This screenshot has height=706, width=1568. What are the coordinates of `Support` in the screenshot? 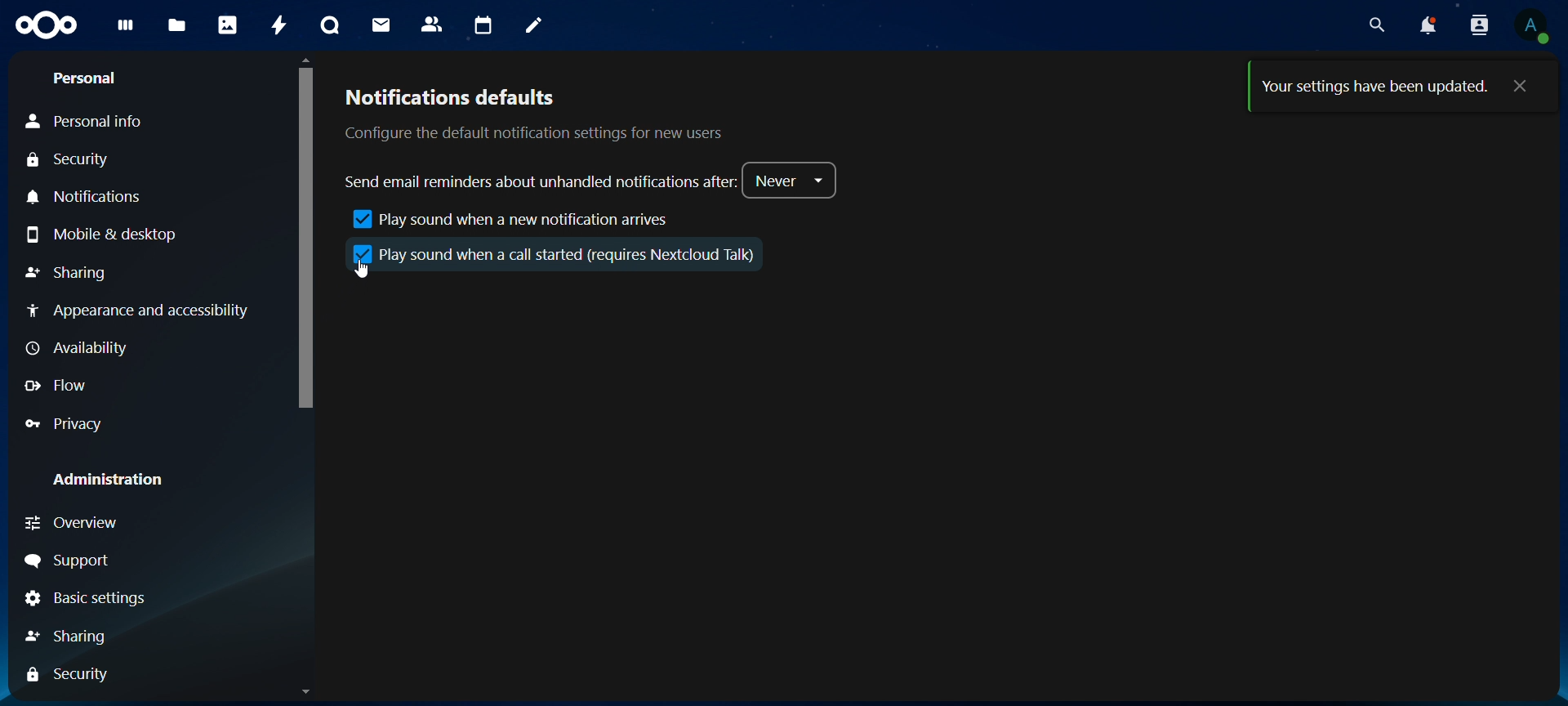 It's located at (66, 561).